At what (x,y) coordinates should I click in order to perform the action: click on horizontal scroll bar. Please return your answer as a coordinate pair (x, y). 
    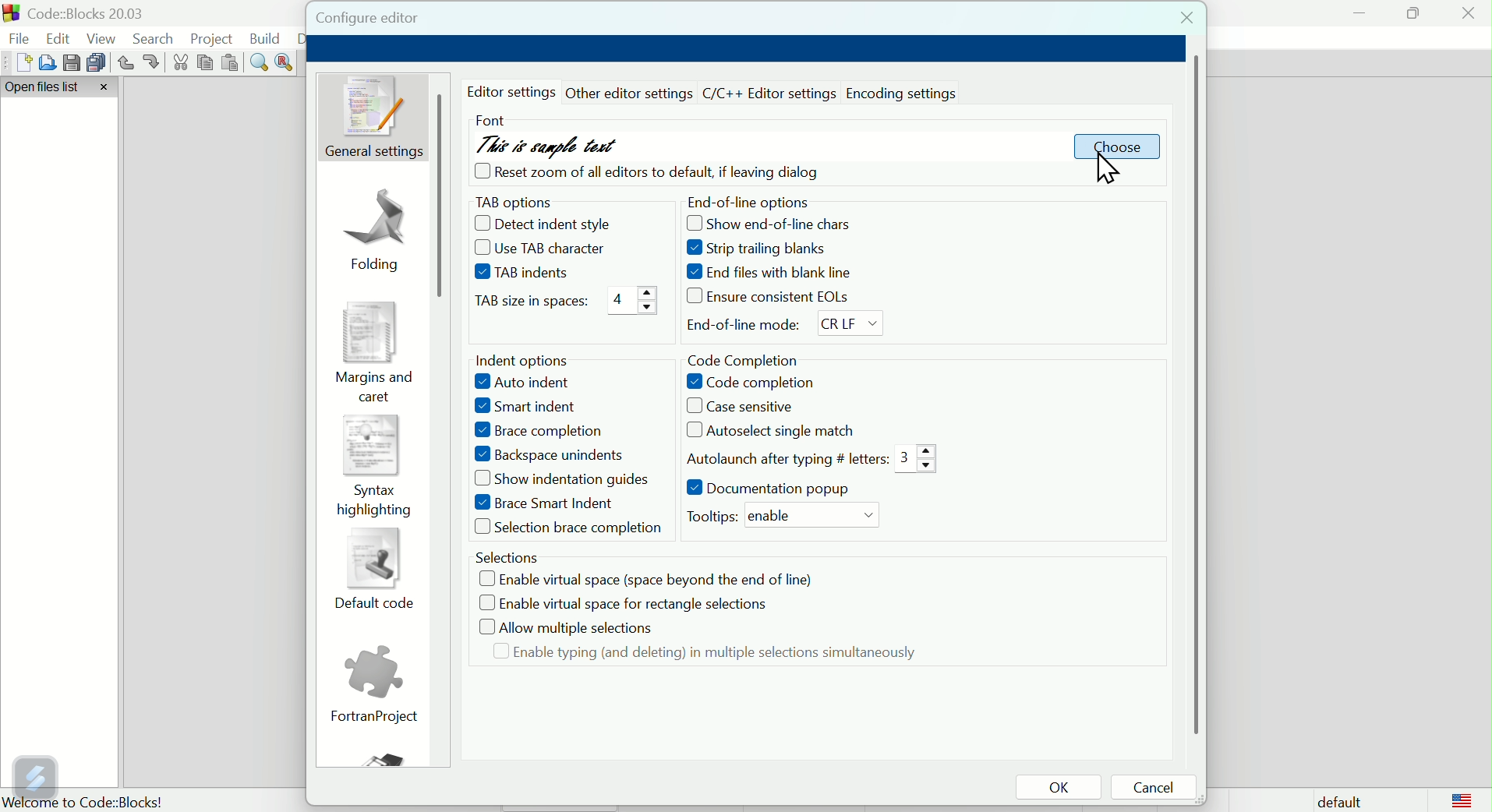
    Looking at the image, I should click on (1196, 392).